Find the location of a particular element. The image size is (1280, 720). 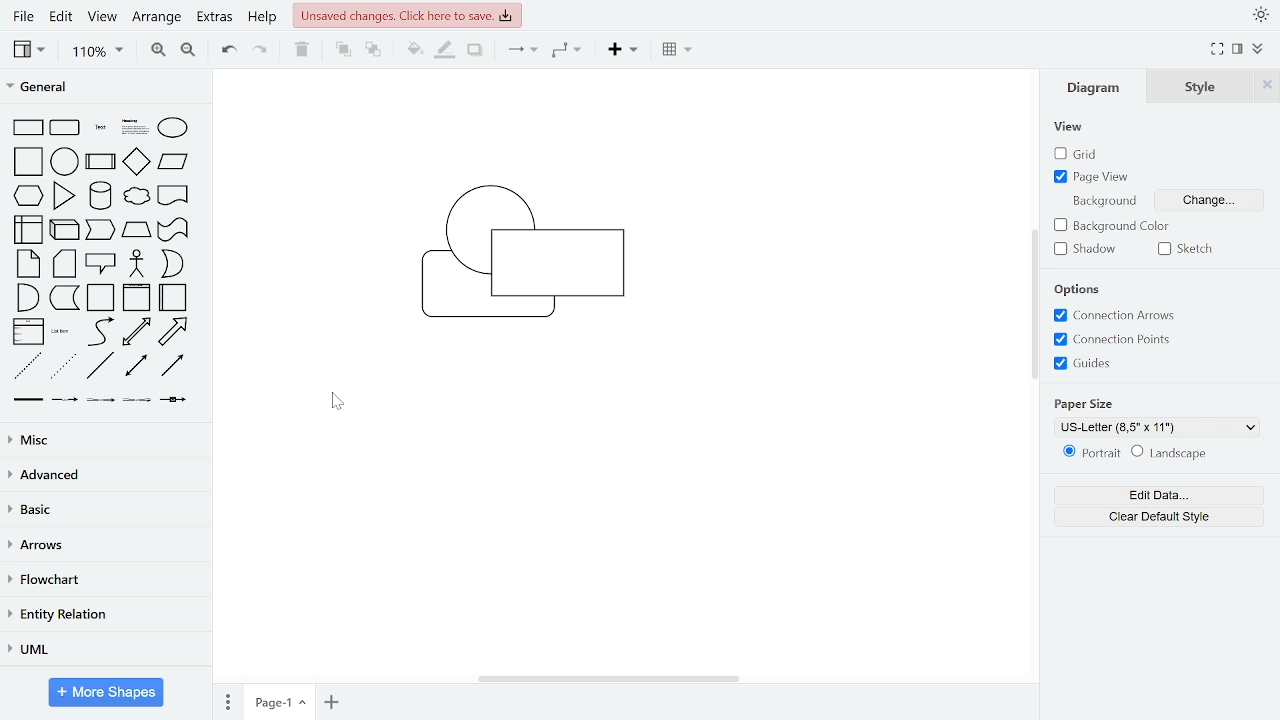

connection arrows is located at coordinates (1114, 317).